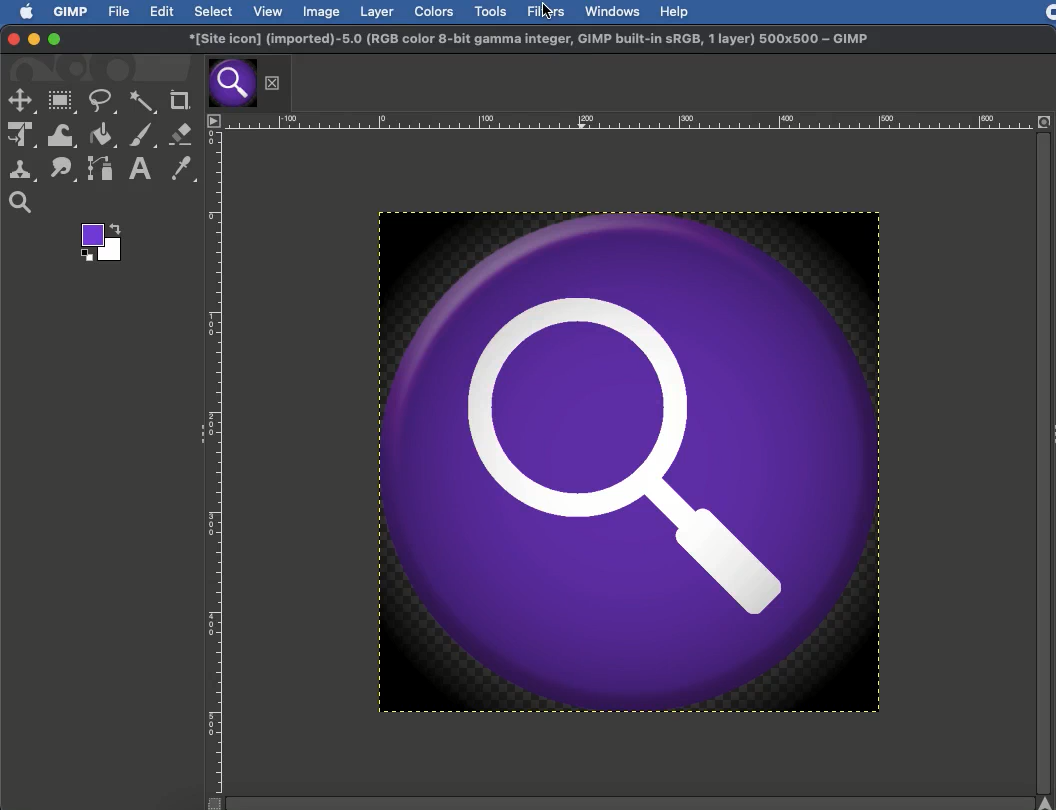 This screenshot has height=810, width=1056. What do you see at coordinates (629, 462) in the screenshot?
I see `Image` at bounding box center [629, 462].